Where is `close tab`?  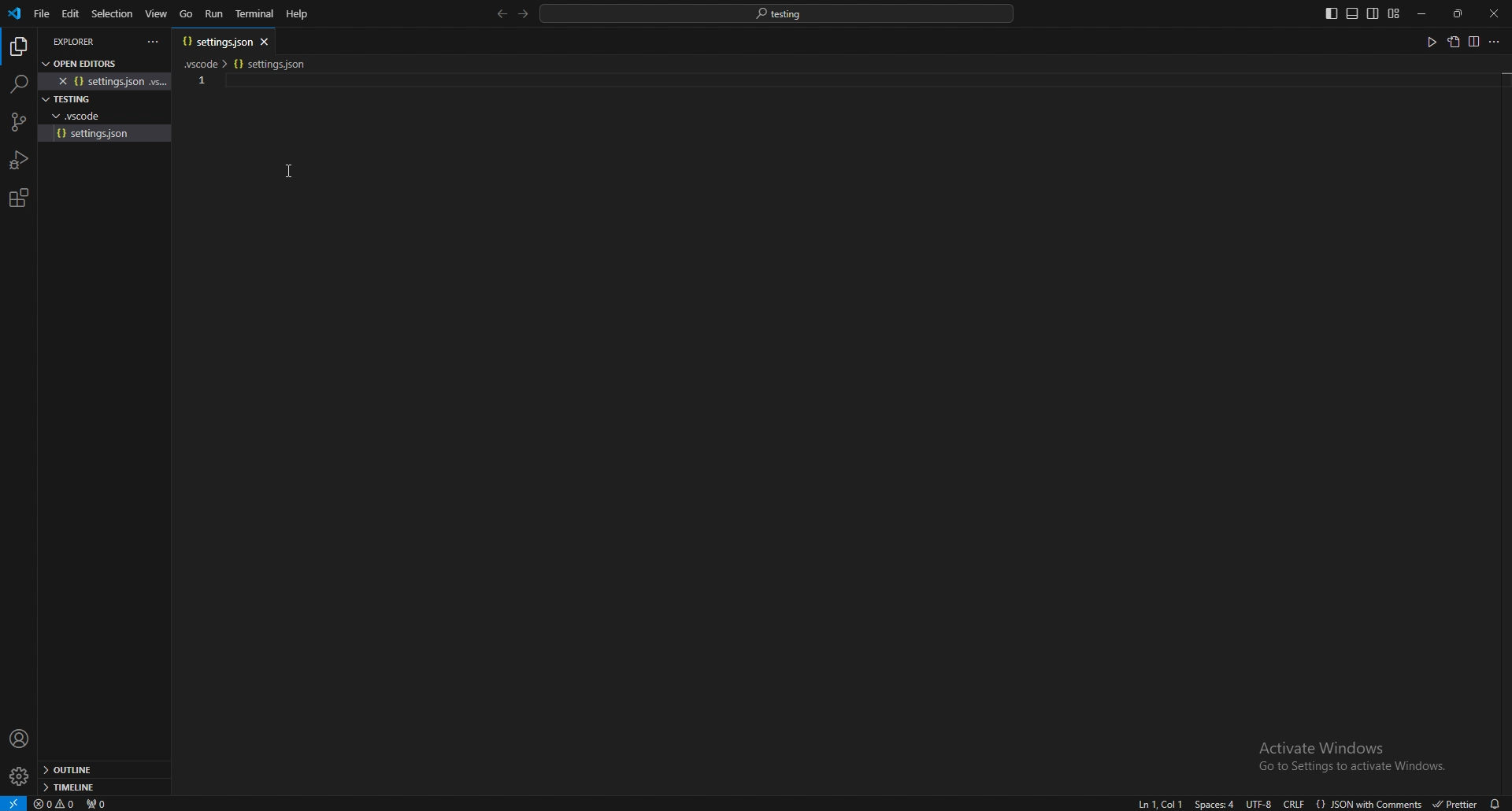
close tab is located at coordinates (267, 40).